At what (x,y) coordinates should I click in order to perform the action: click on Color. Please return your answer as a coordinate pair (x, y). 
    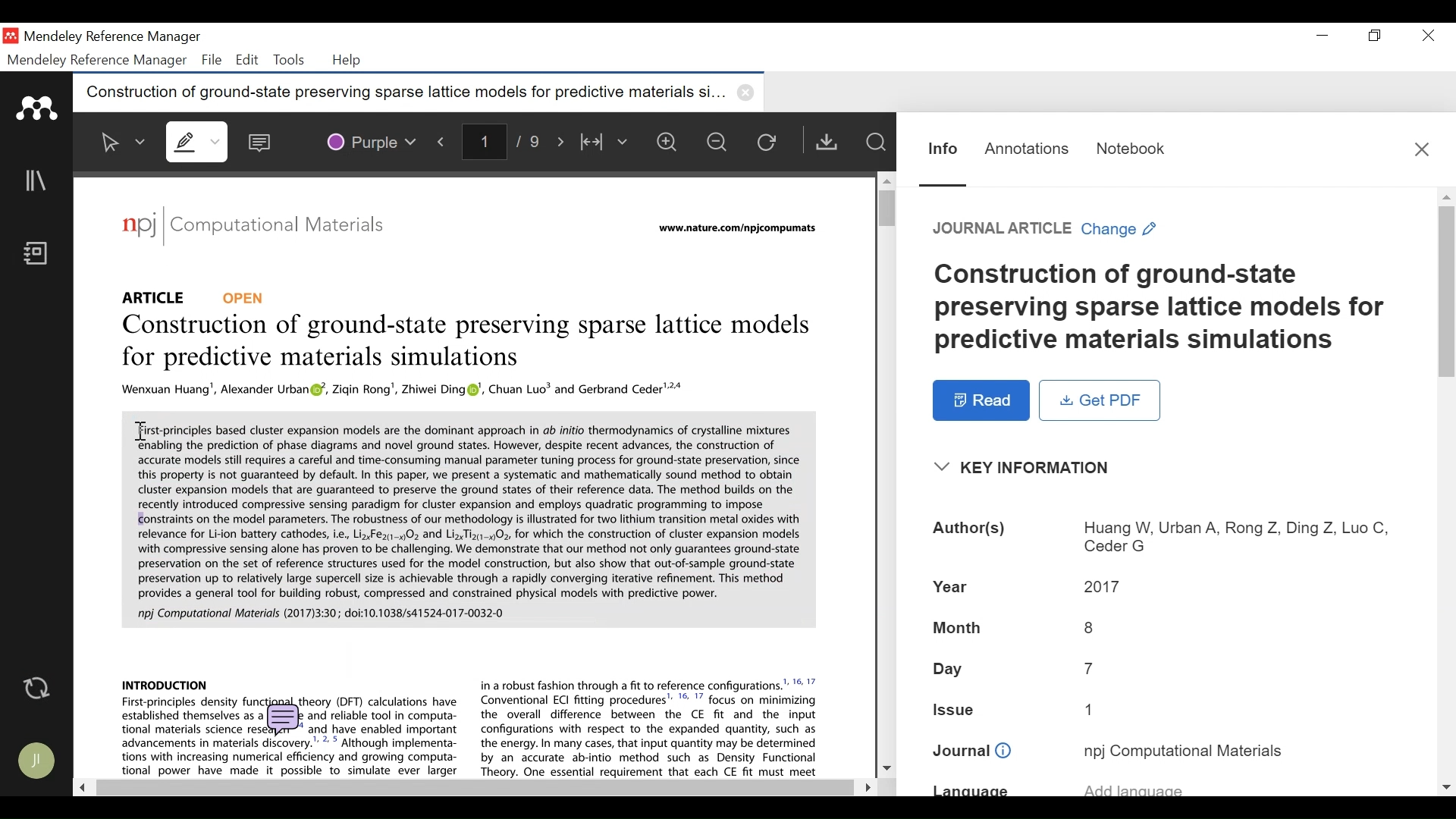
    Looking at the image, I should click on (370, 140).